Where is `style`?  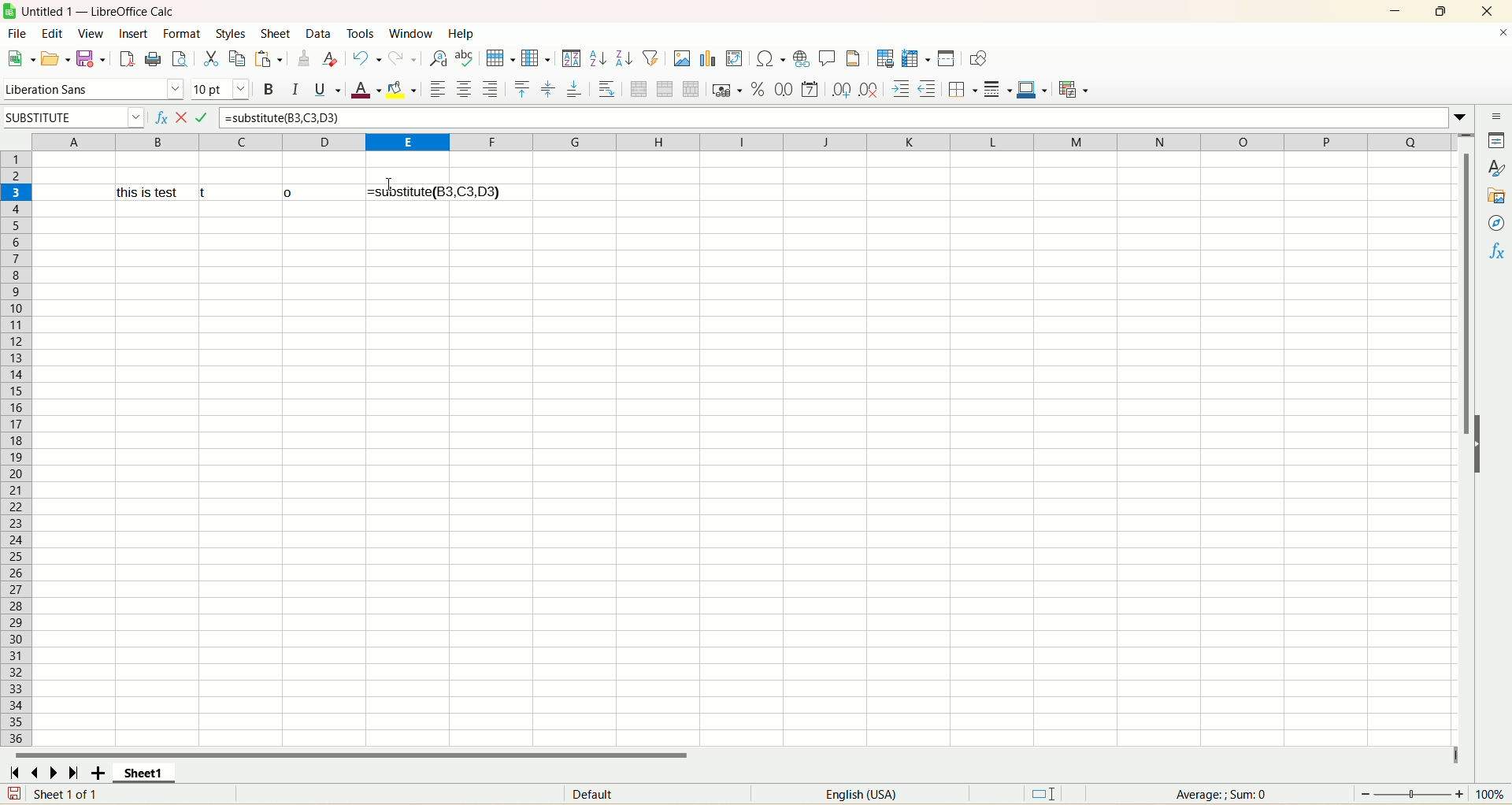
style is located at coordinates (1492, 169).